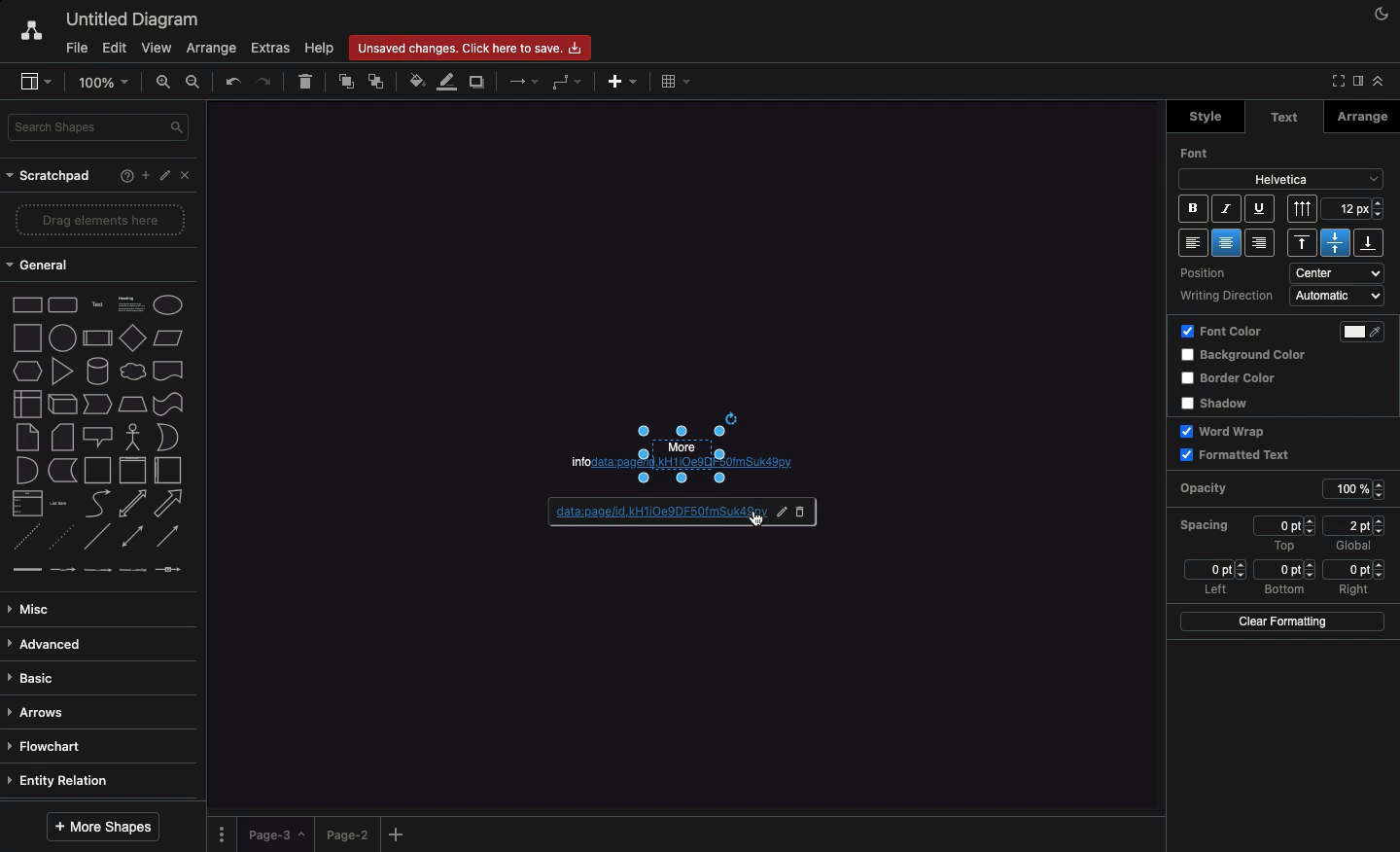  I want to click on Basic, so click(34, 679).